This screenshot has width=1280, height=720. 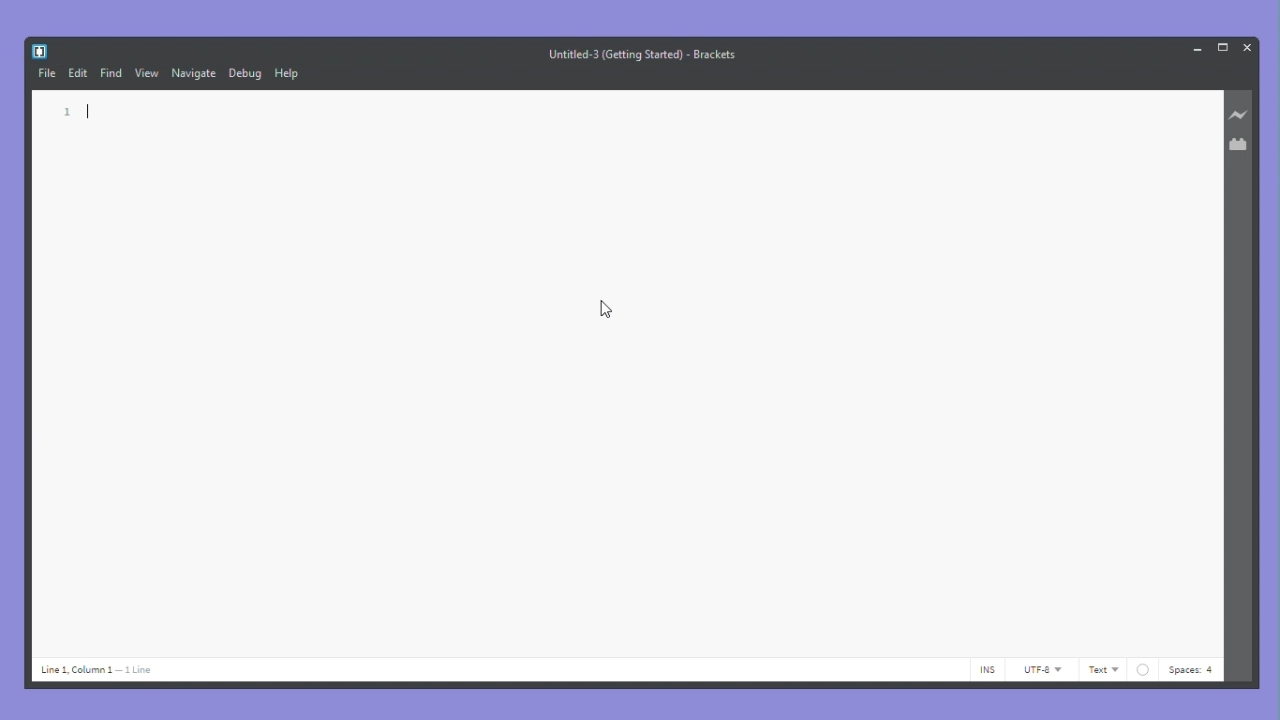 I want to click on Close, so click(x=1247, y=46).